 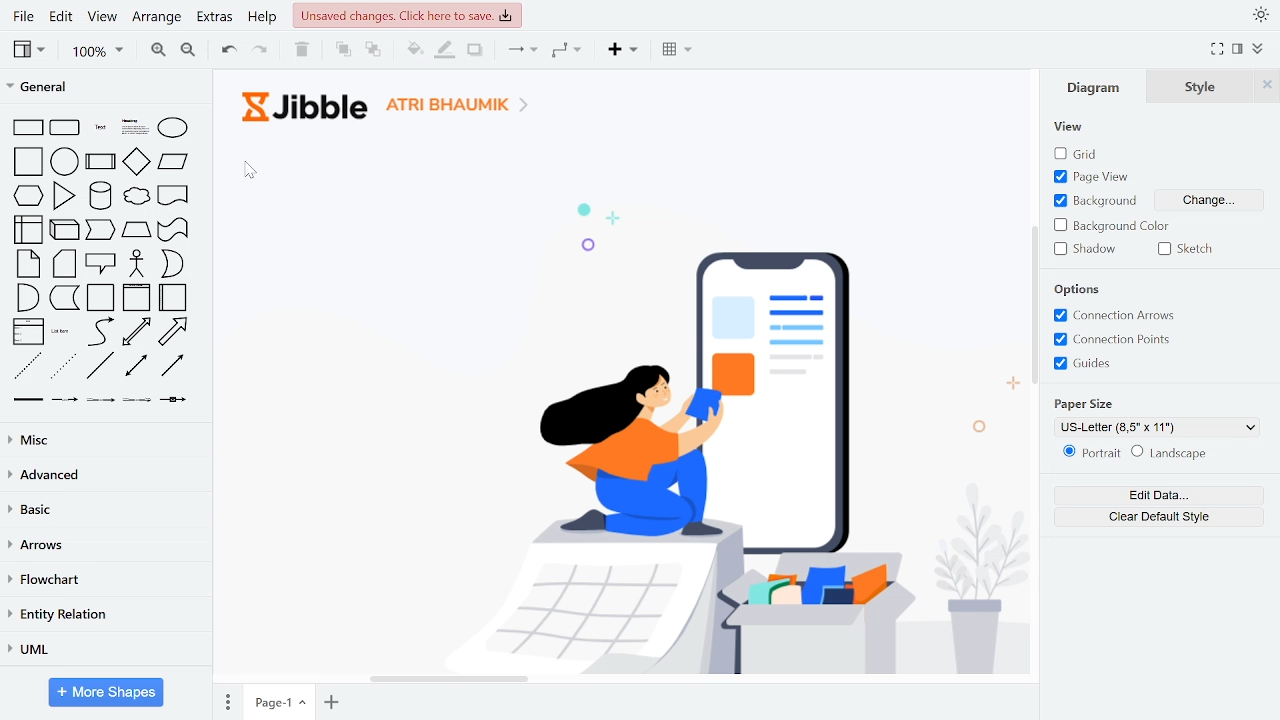 I want to click on general shapes, so click(x=98, y=159).